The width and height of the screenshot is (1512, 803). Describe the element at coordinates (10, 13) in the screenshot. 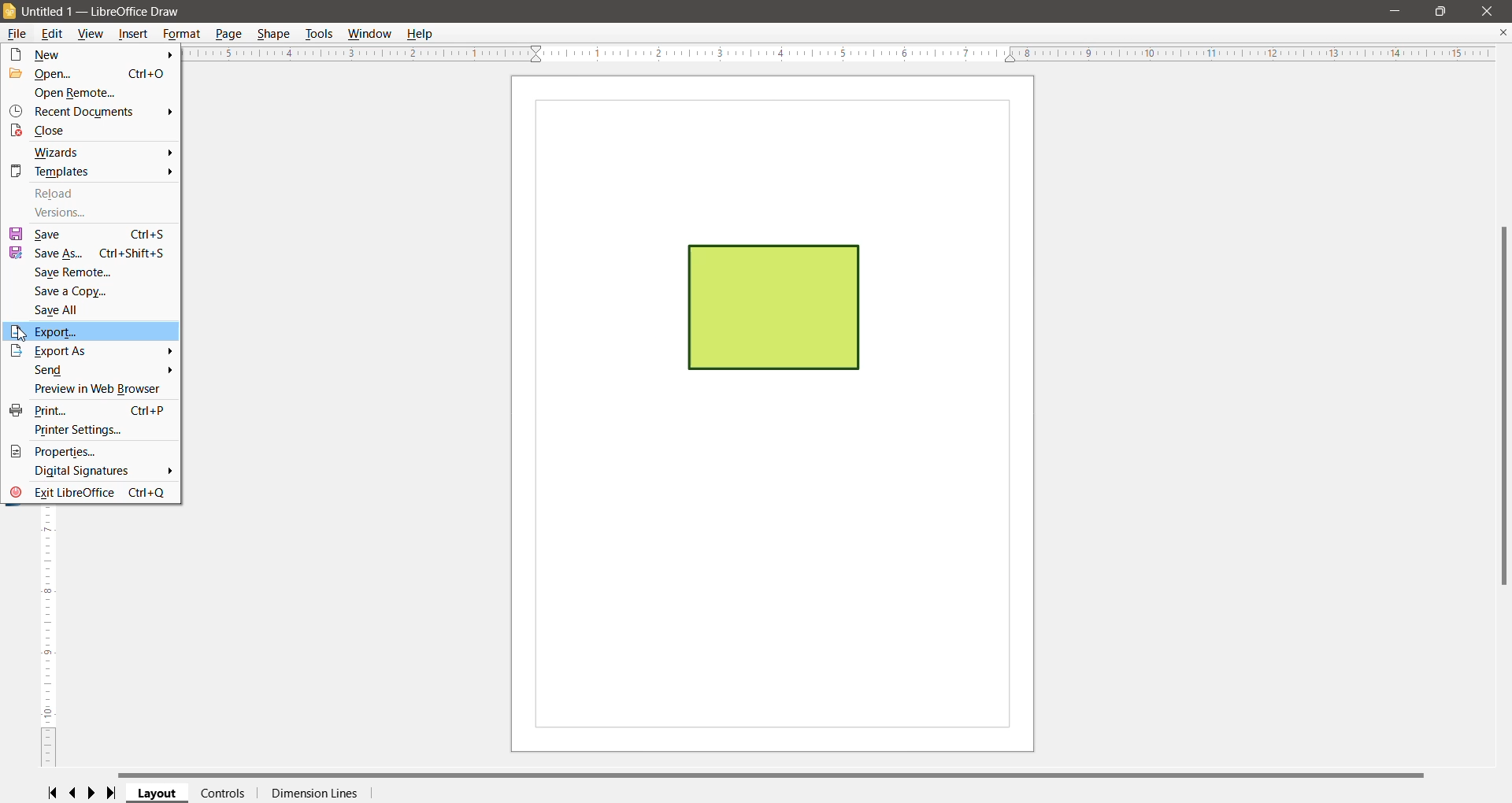

I see `Application Logo` at that location.